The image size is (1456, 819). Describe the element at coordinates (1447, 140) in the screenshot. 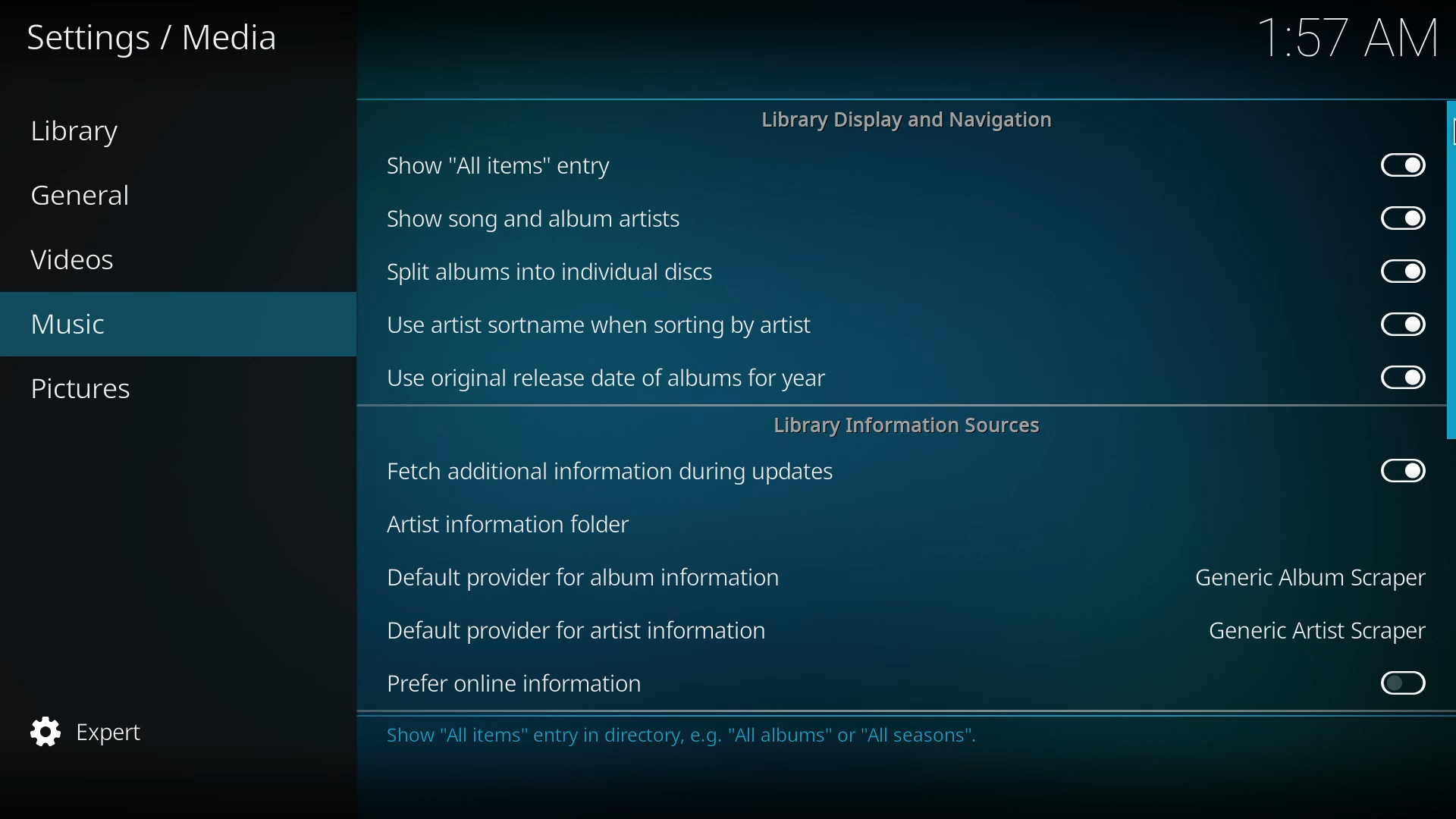

I see `cursor` at that location.